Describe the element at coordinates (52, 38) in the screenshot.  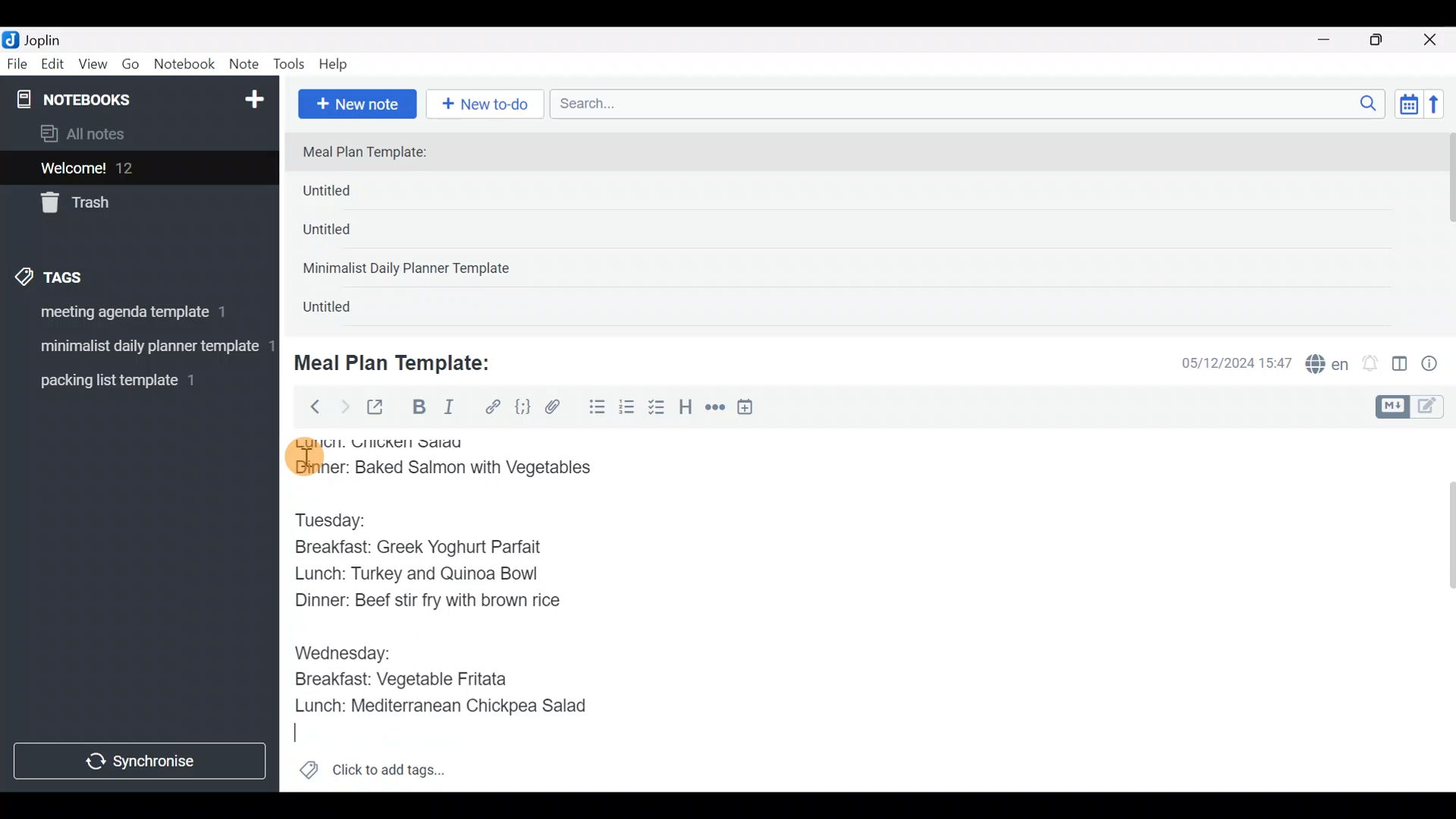
I see `Joplin` at that location.